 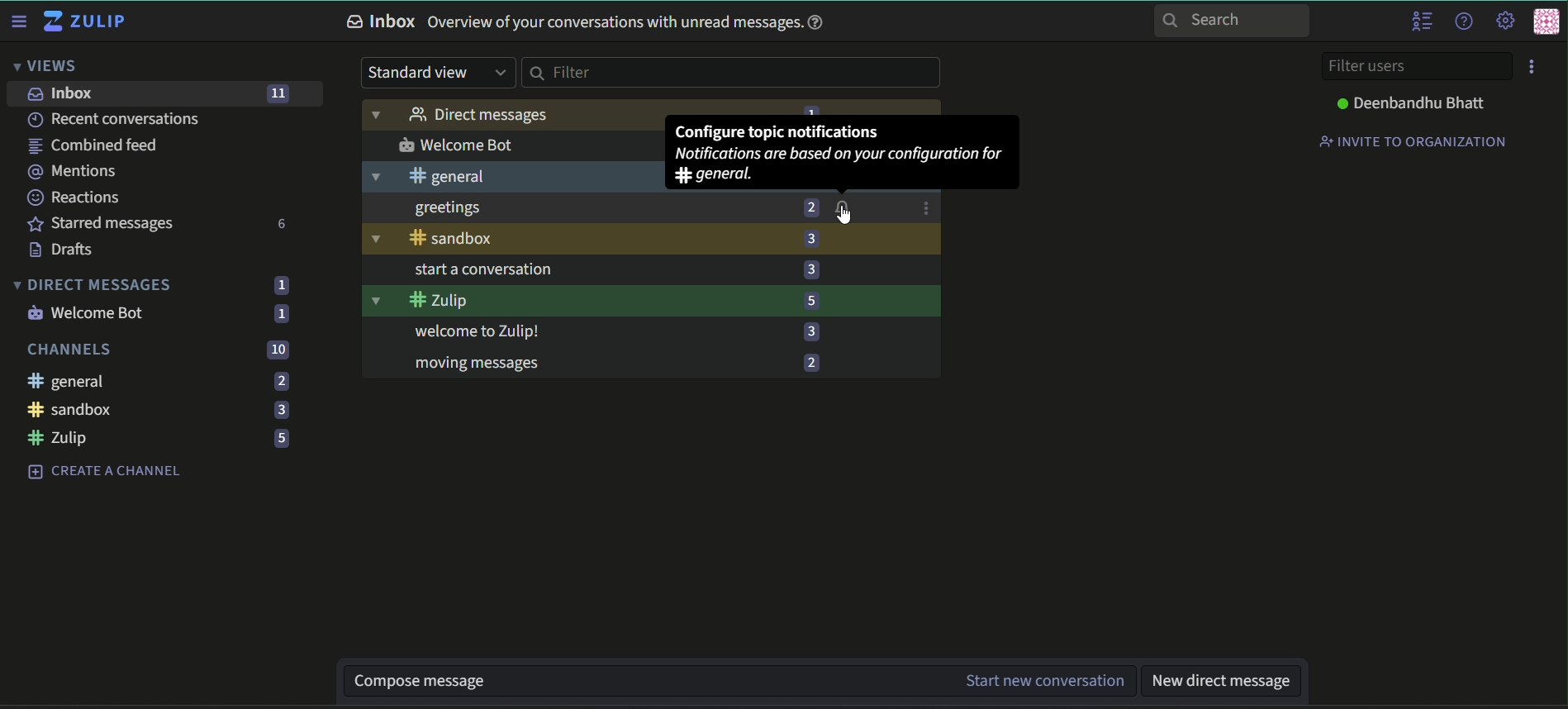 I want to click on compose message, so click(x=640, y=683).